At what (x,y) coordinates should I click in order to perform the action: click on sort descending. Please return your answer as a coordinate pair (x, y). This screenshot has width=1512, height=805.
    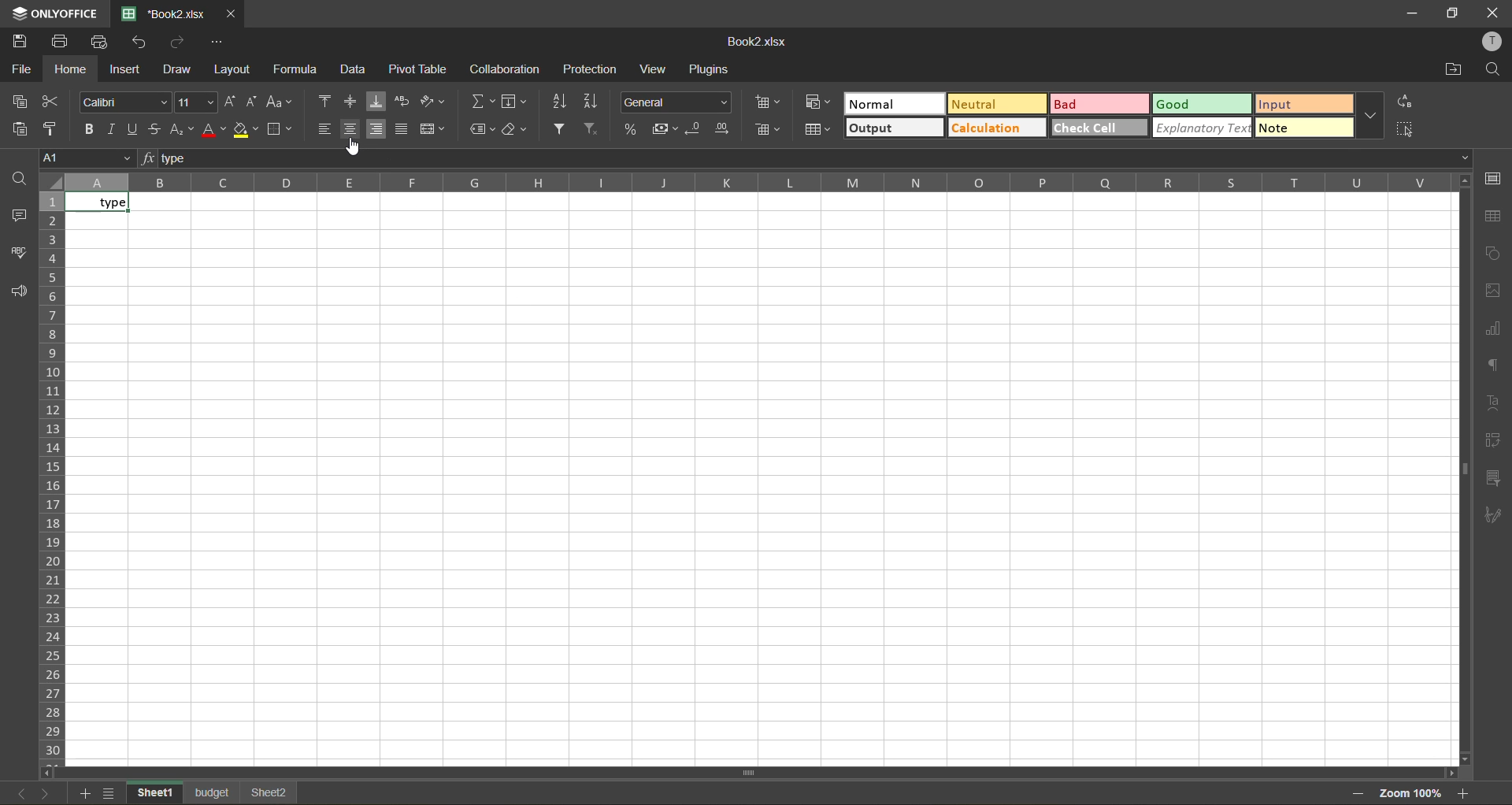
    Looking at the image, I should click on (595, 103).